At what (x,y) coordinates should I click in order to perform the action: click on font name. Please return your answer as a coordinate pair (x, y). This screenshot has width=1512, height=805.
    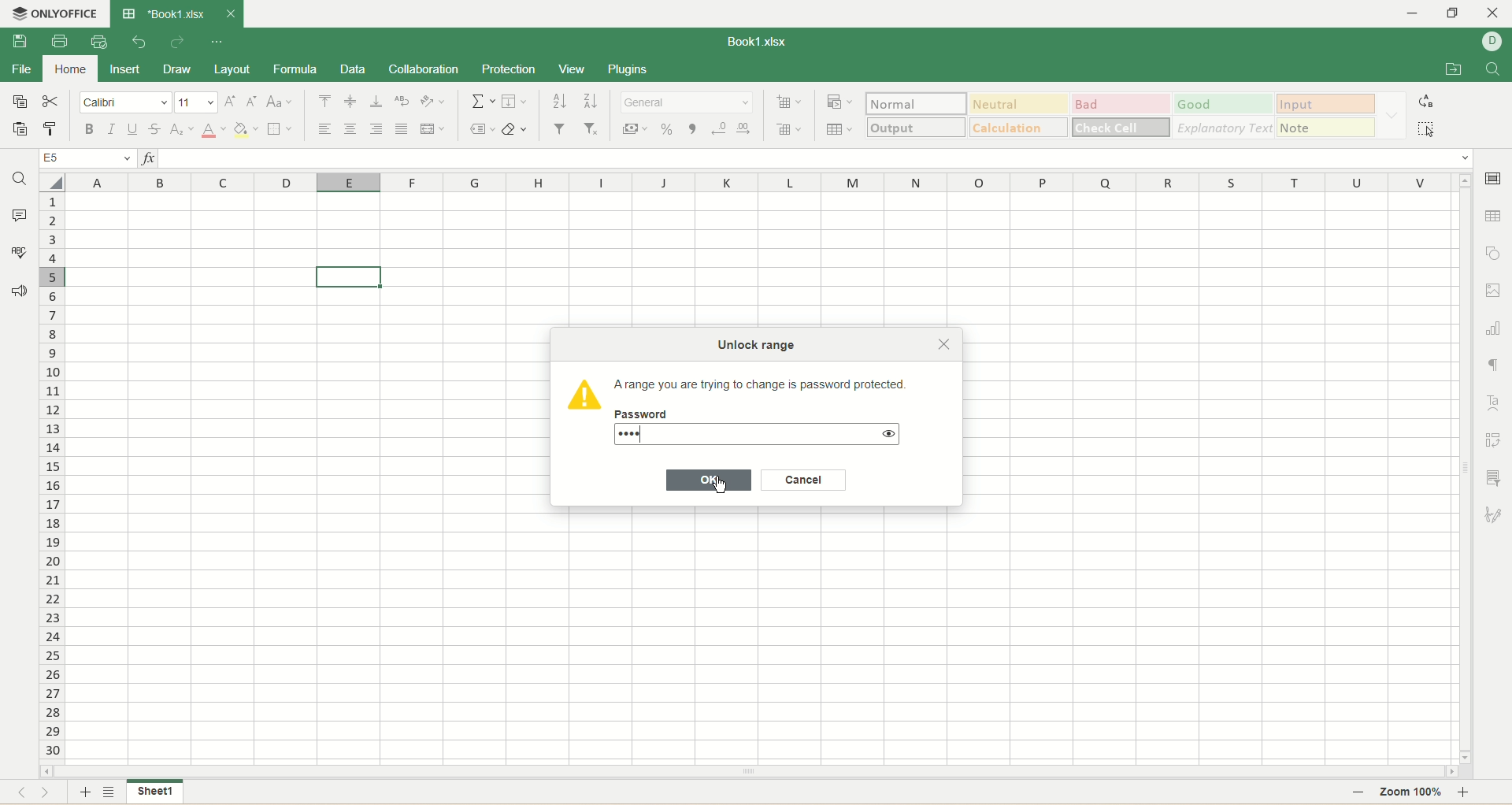
    Looking at the image, I should click on (128, 103).